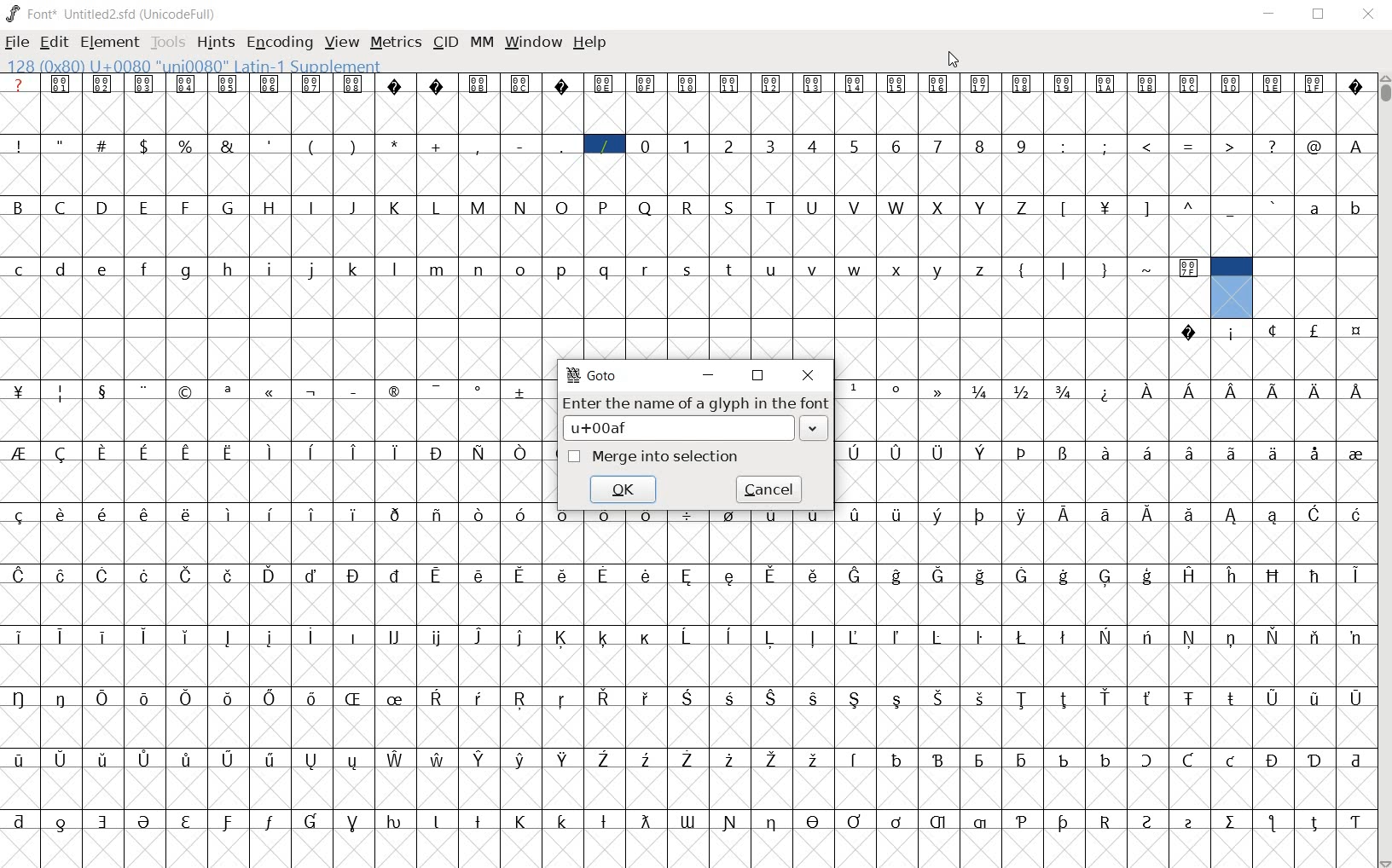  Describe the element at coordinates (774, 514) in the screenshot. I see `Symbol` at that location.